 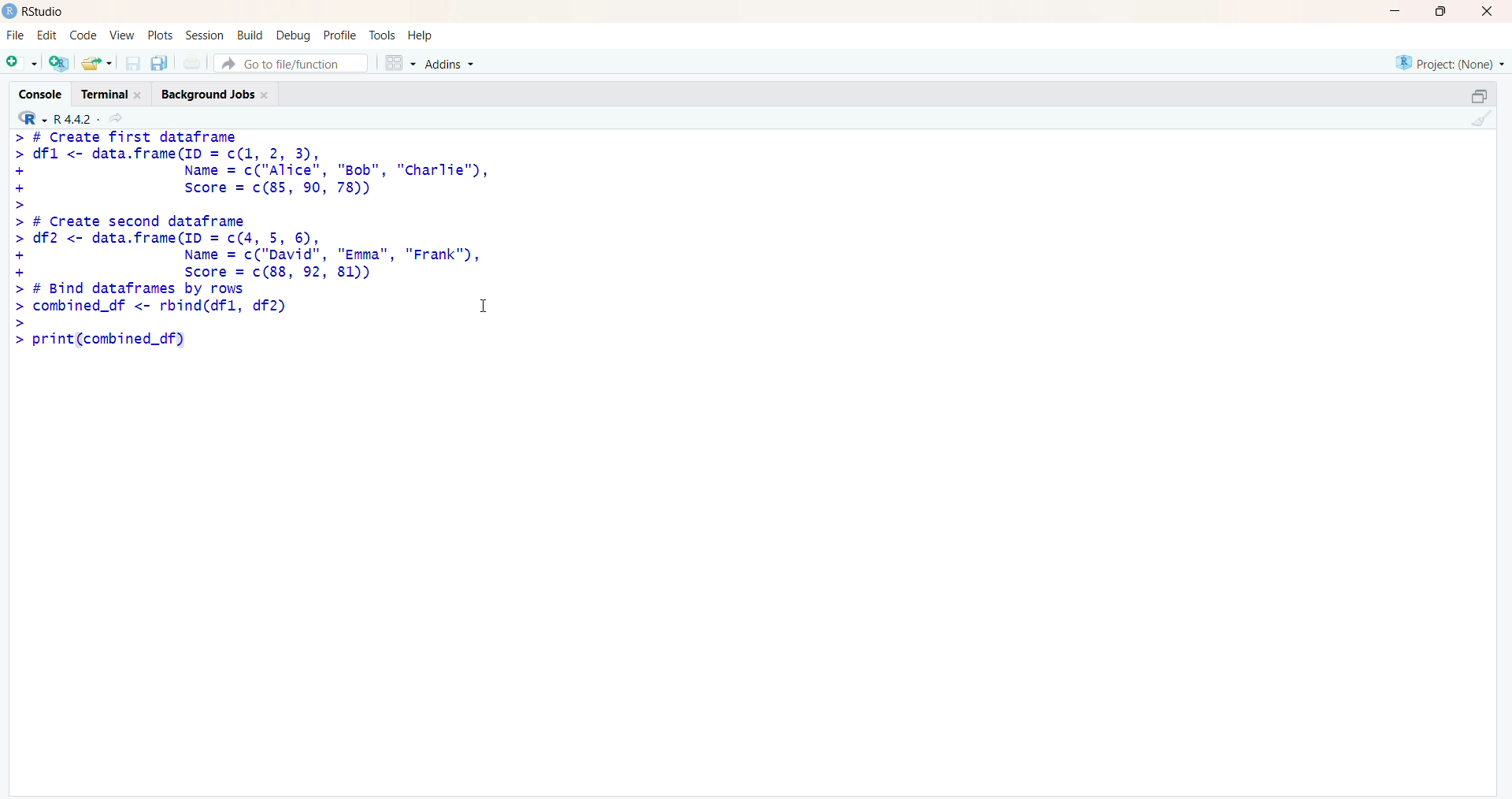 What do you see at coordinates (160, 64) in the screenshot?
I see `save all open document` at bounding box center [160, 64].